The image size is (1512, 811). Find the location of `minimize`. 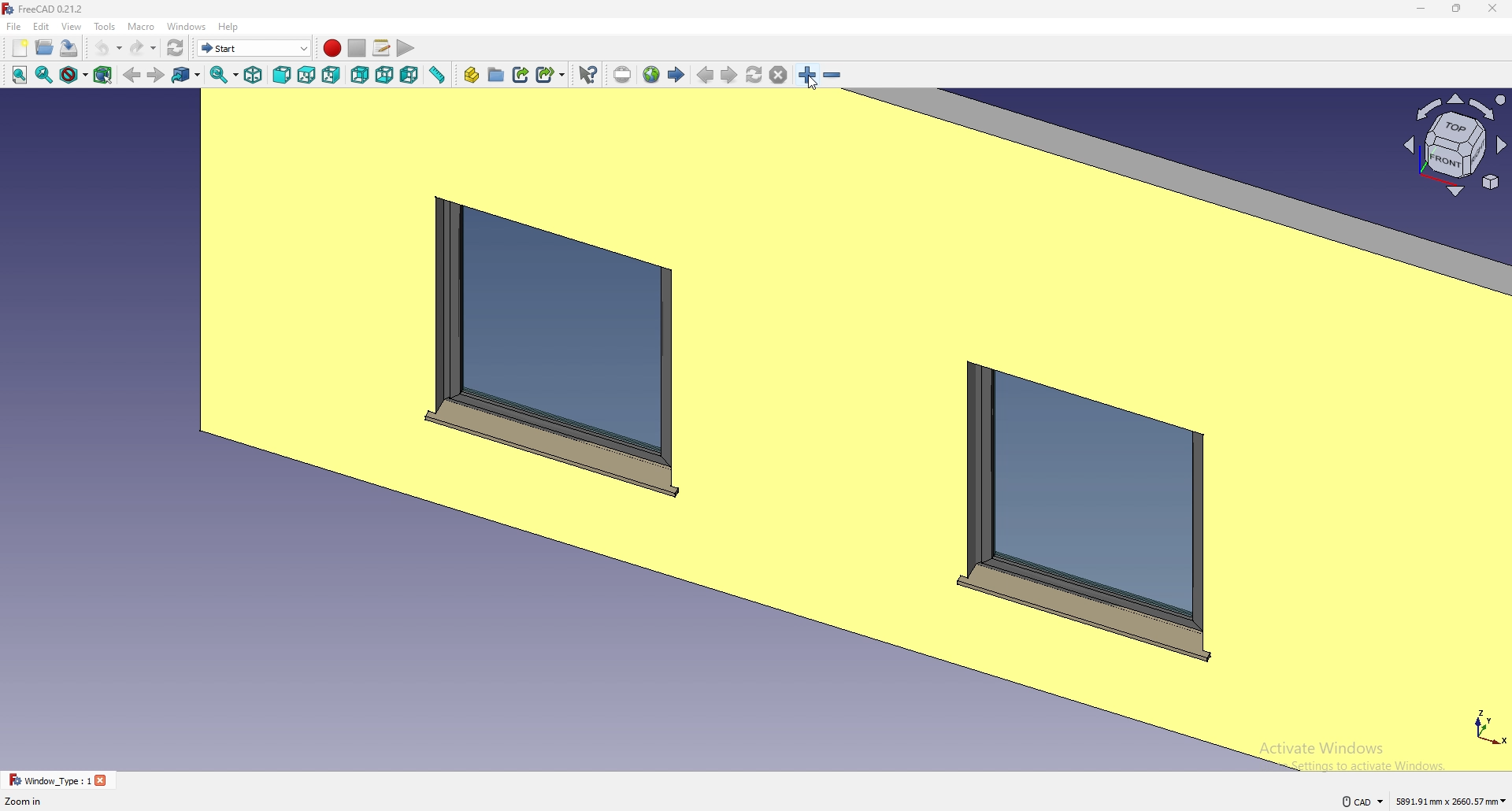

minimize is located at coordinates (1422, 9).